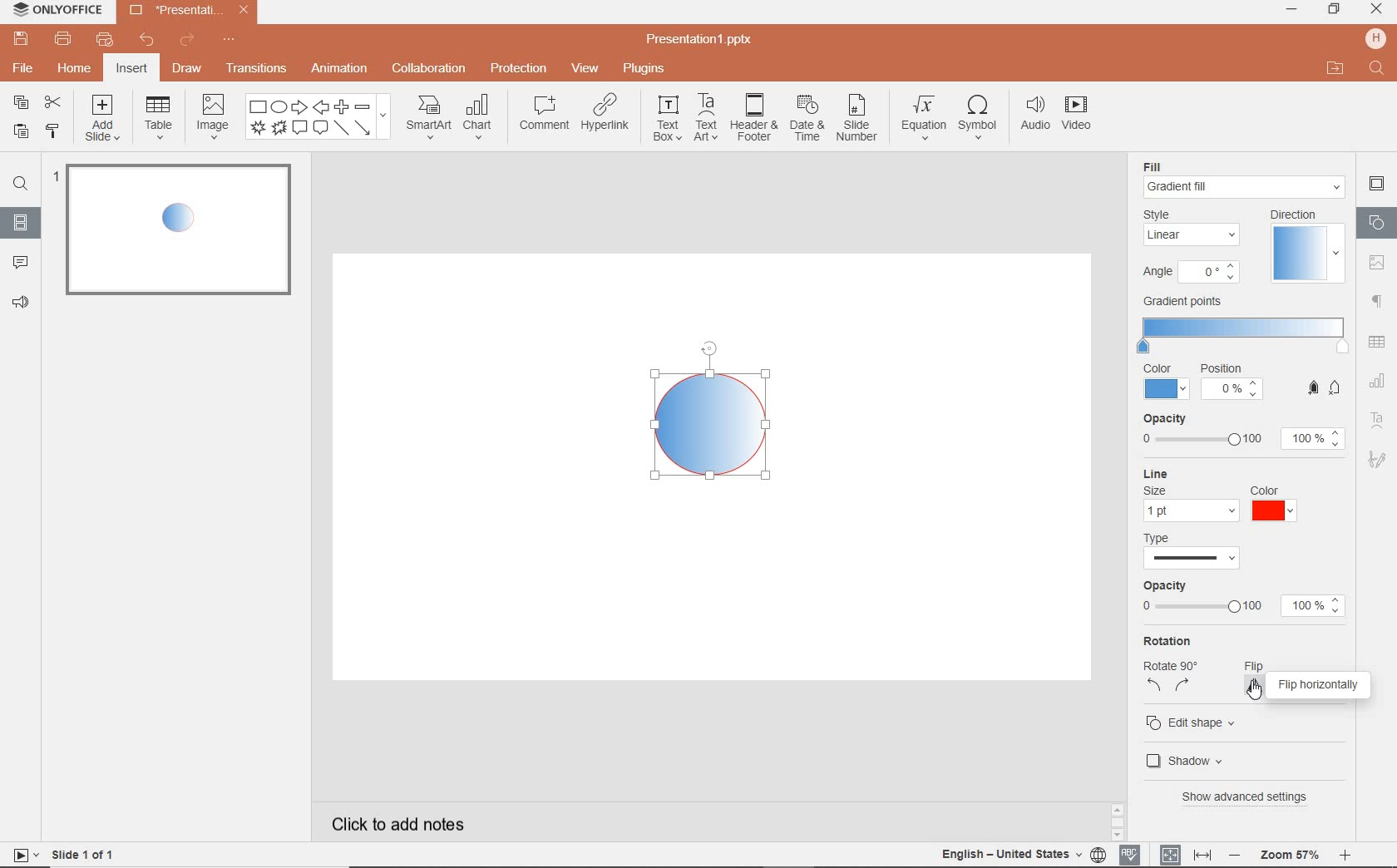 Image resolution: width=1397 pixels, height=868 pixels. Describe the element at coordinates (22, 67) in the screenshot. I see `file` at that location.